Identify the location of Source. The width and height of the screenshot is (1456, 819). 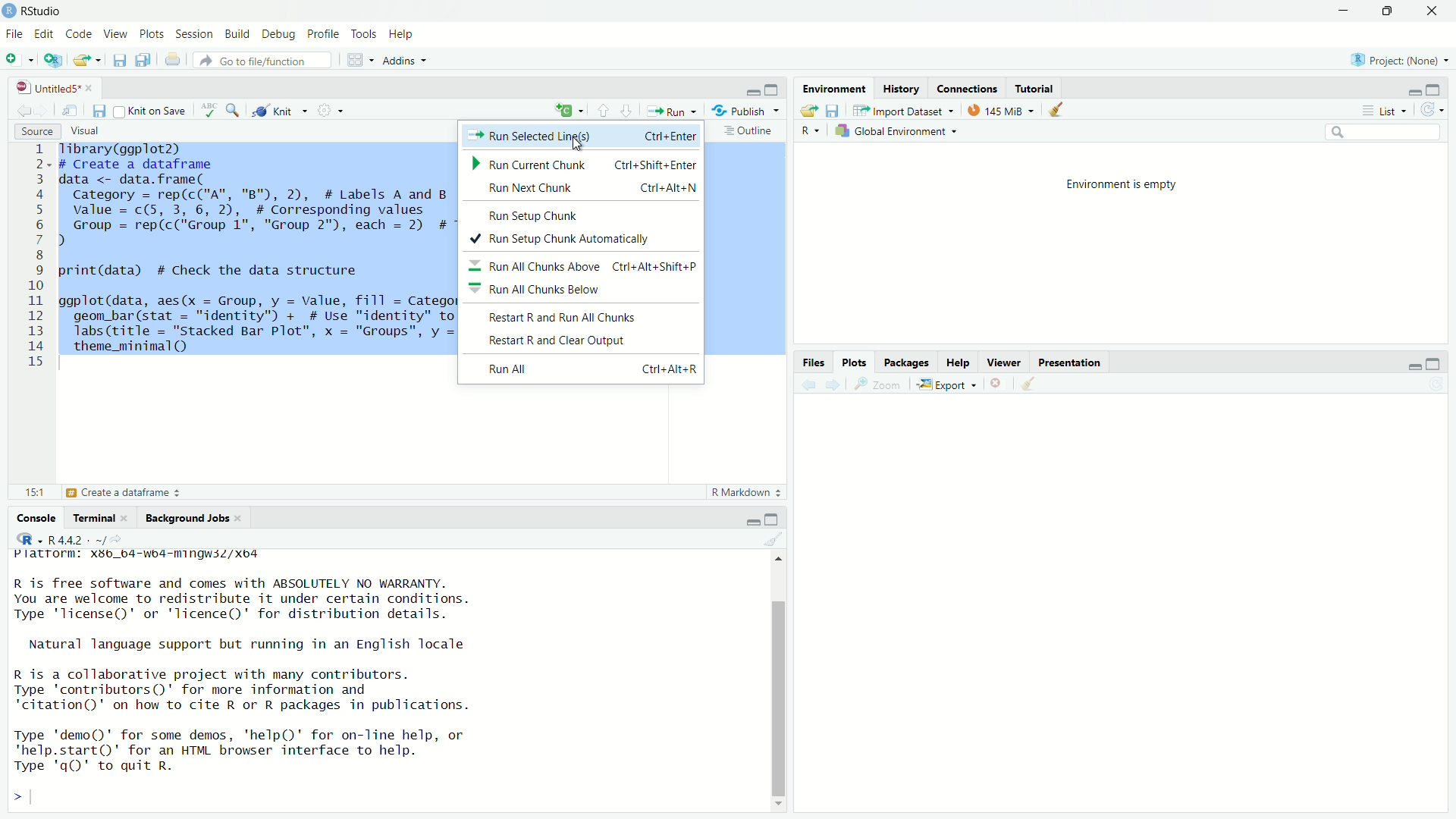
(36, 130).